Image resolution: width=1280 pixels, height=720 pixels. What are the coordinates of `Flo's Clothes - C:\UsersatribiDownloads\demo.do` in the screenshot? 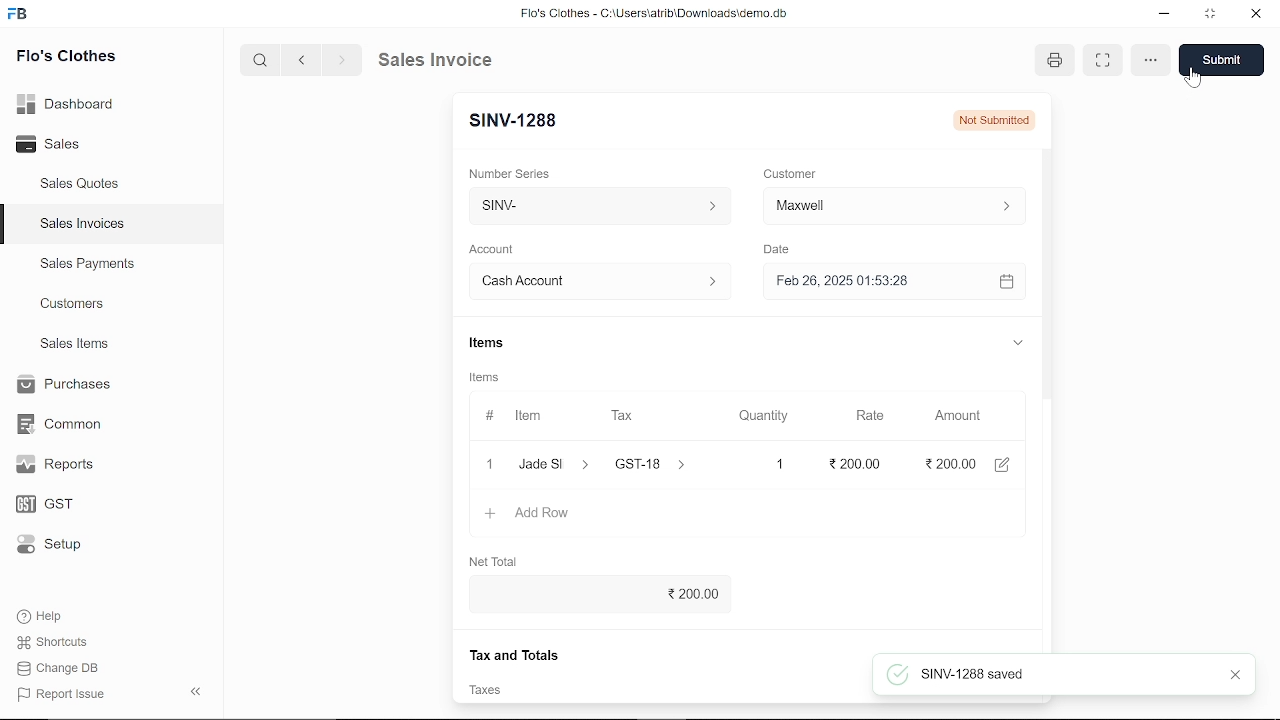 It's located at (662, 15).